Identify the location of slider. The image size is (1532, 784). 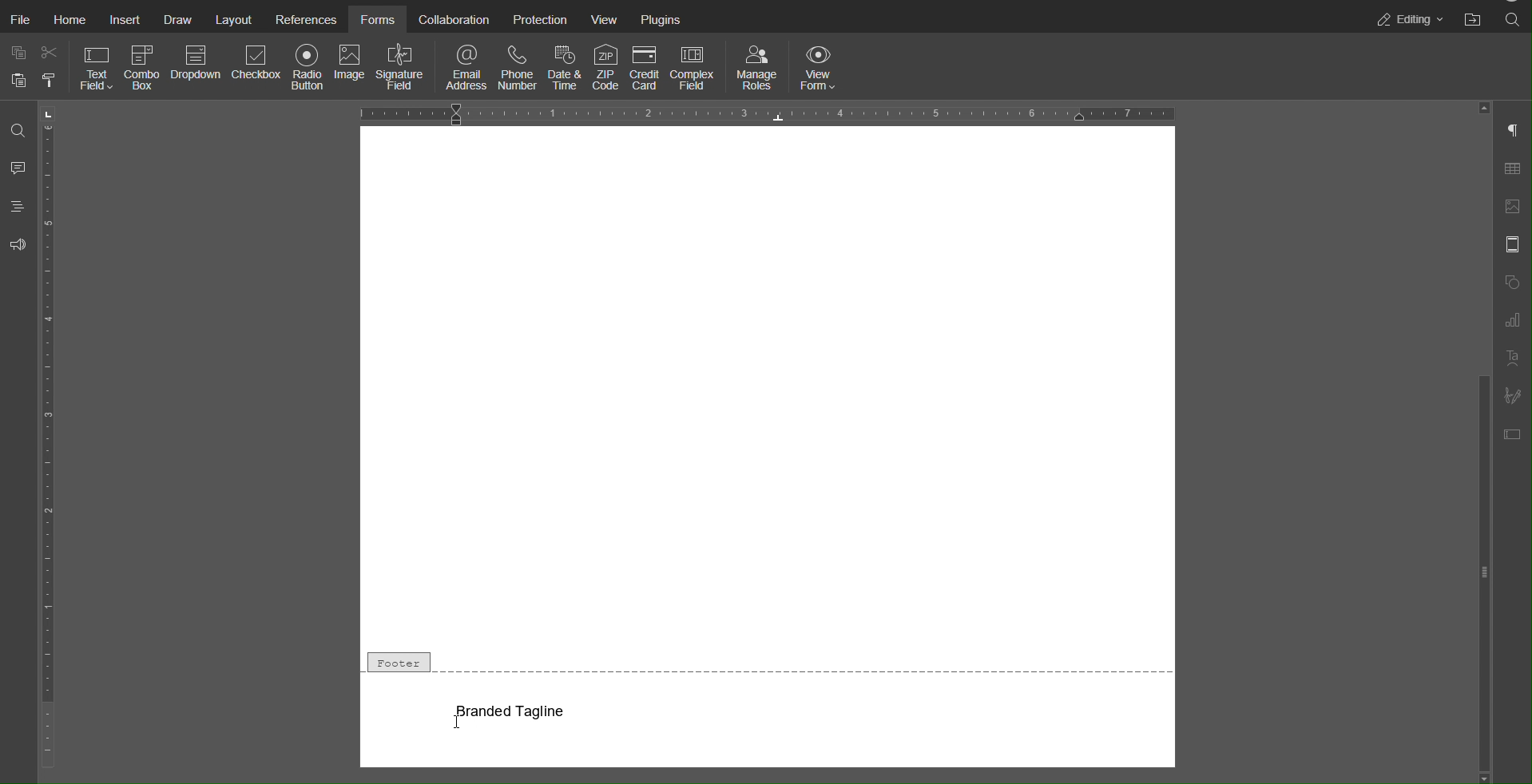
(1482, 531).